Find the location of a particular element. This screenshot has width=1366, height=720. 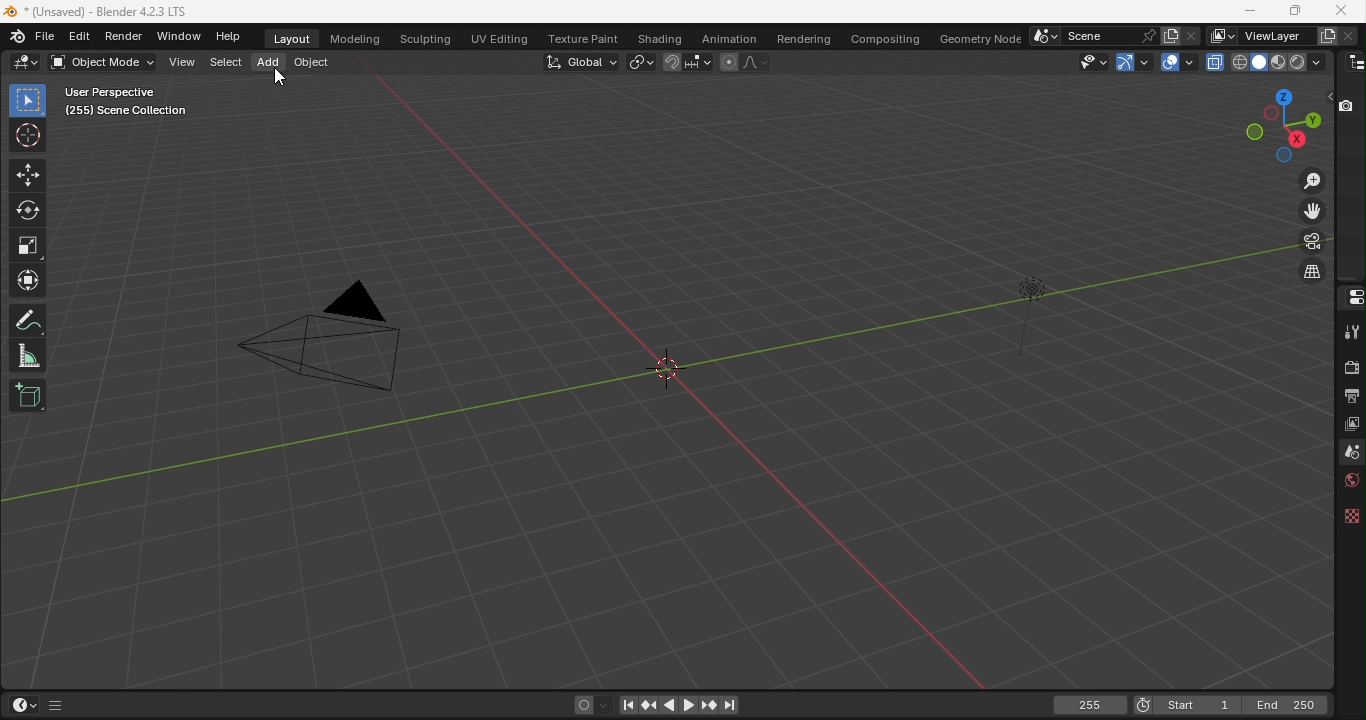

Proportional editing falloff is located at coordinates (754, 63).